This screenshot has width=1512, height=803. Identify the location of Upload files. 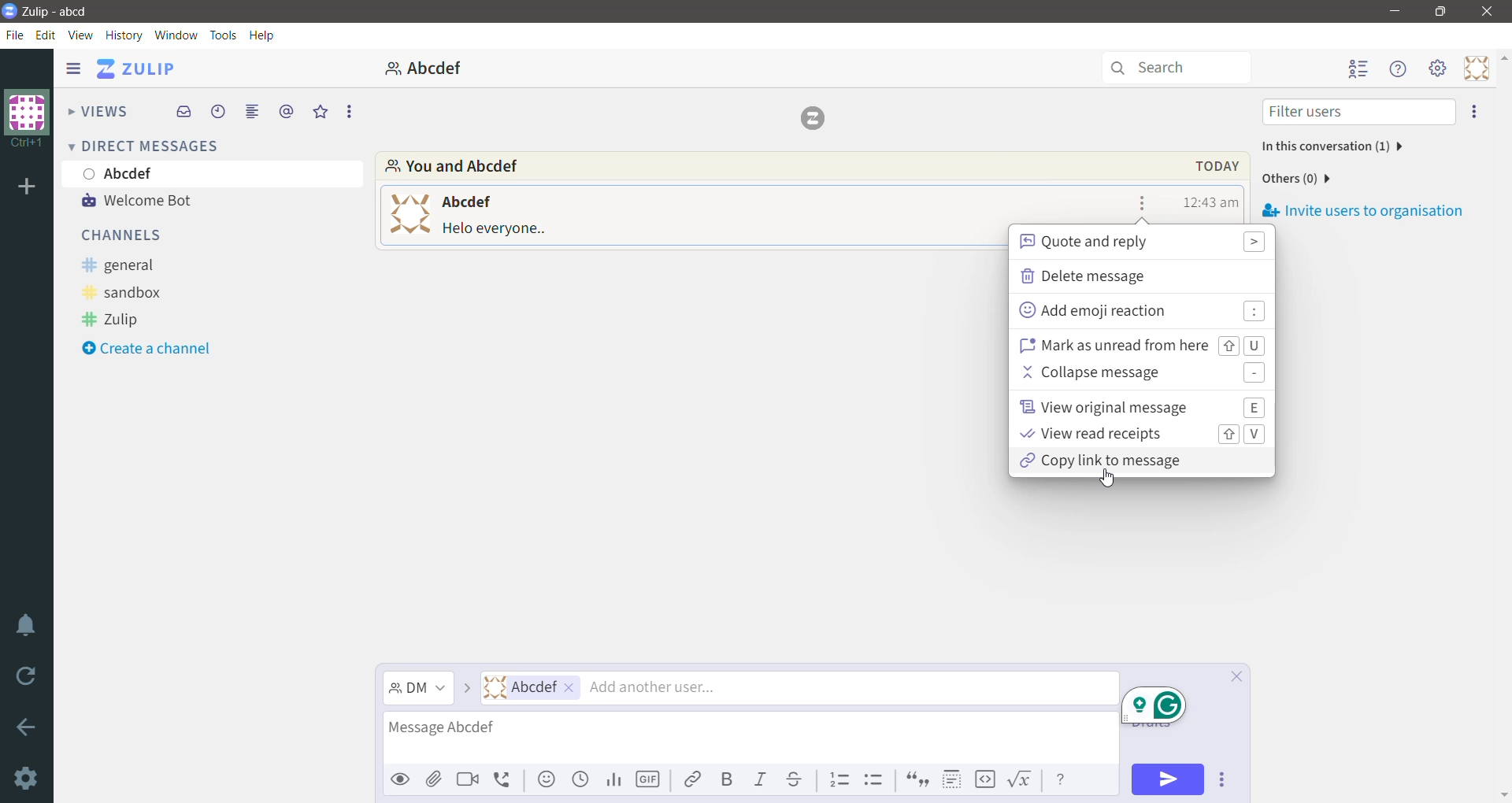
(434, 779).